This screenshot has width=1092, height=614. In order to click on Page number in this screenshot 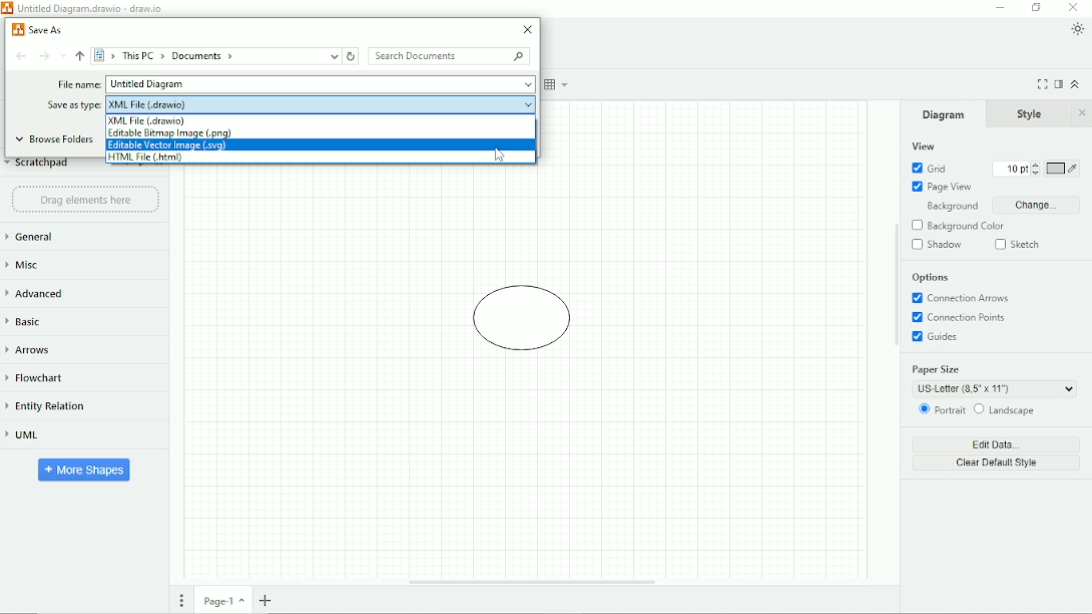, I will do `click(224, 603)`.